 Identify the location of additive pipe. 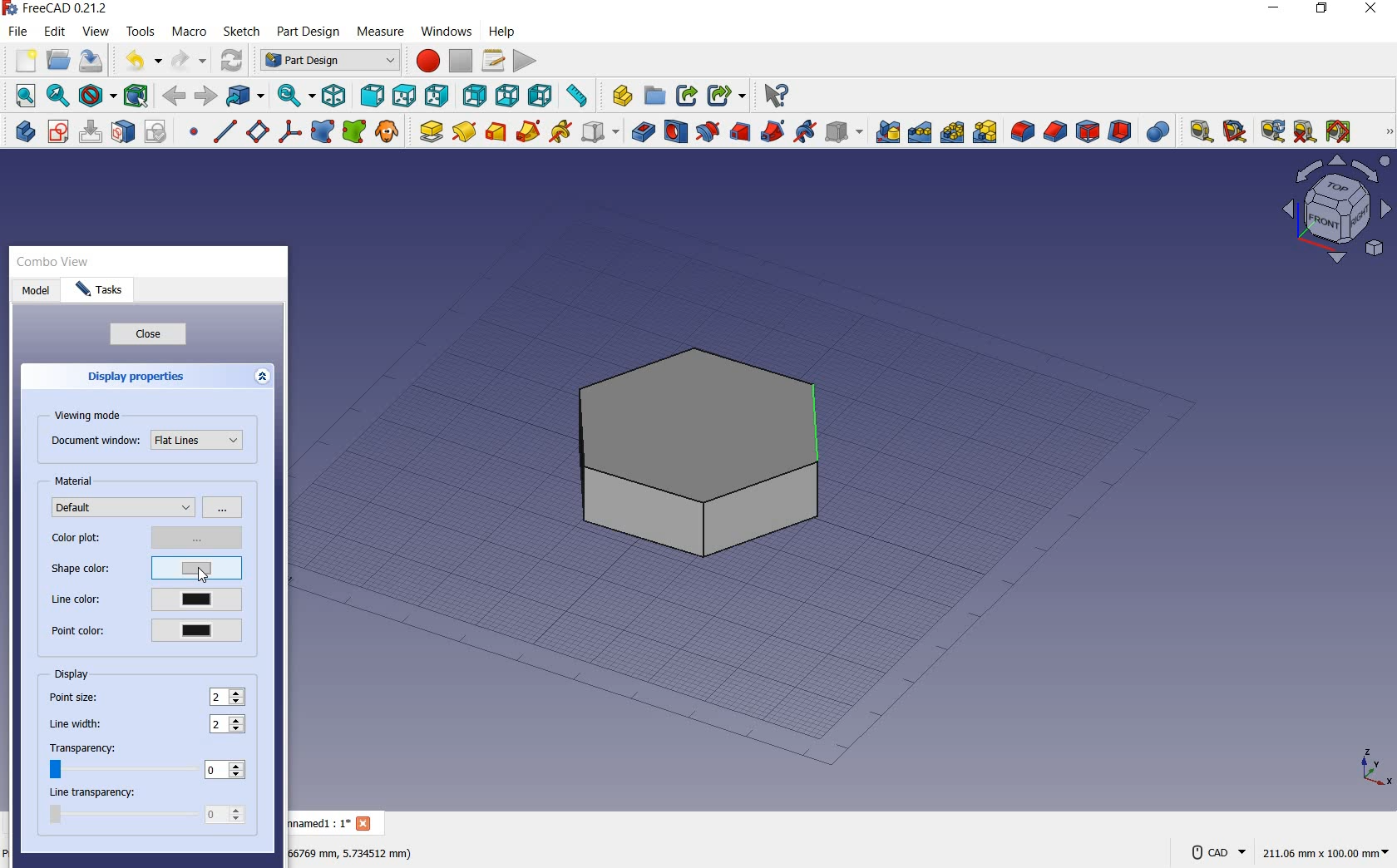
(529, 131).